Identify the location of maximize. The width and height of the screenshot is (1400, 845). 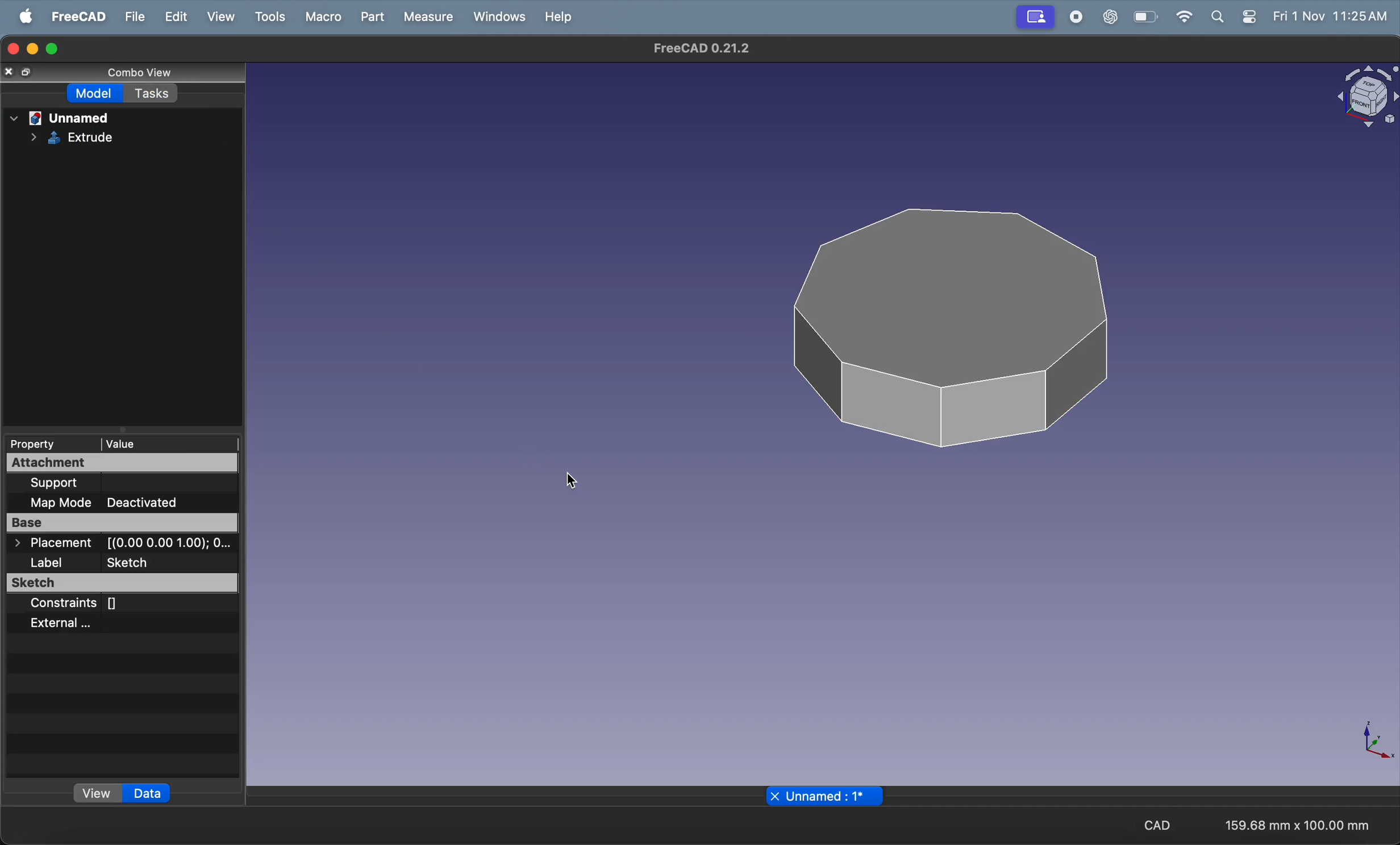
(55, 48).